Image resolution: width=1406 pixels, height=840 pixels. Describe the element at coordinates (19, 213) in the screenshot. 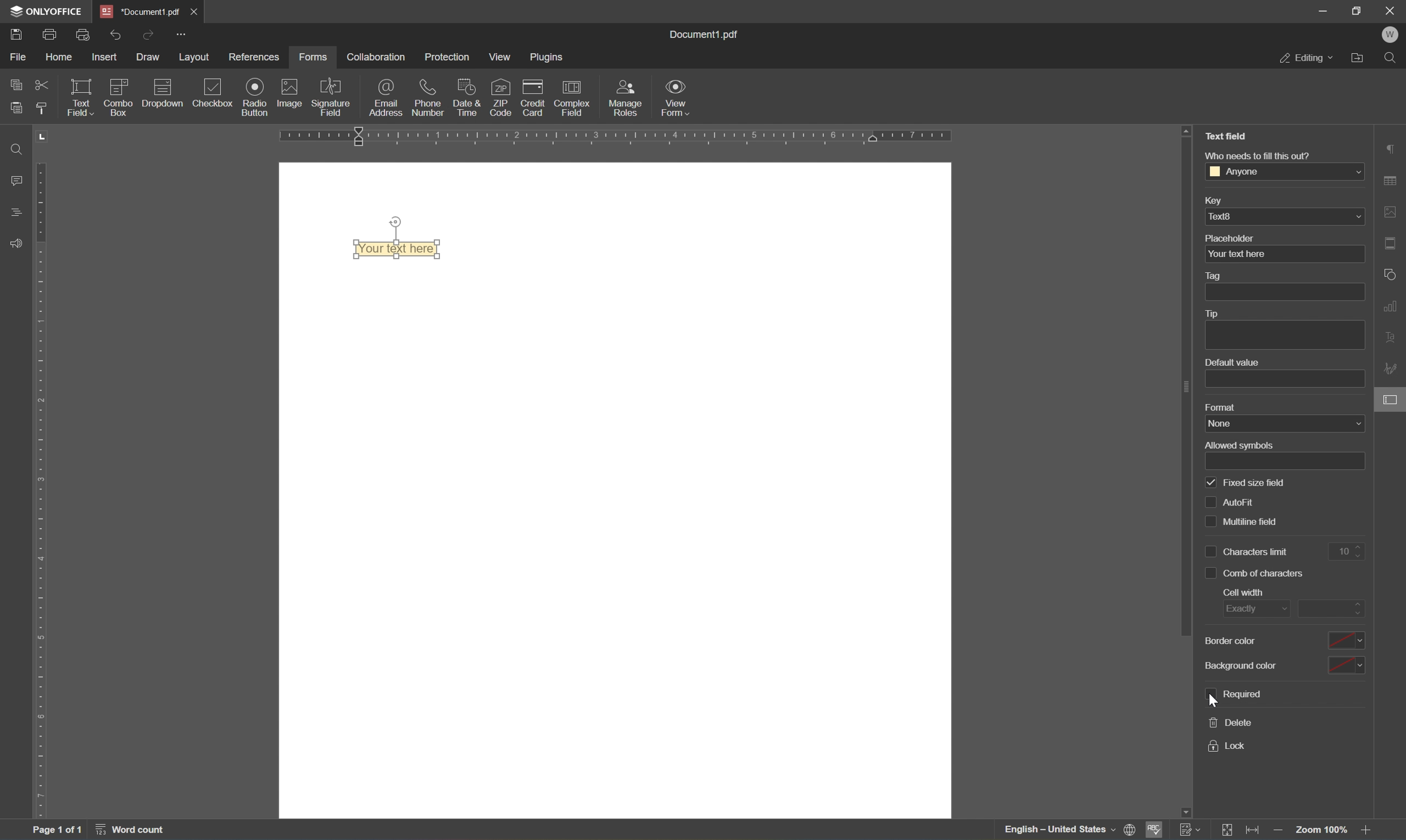

I see `headings` at that location.